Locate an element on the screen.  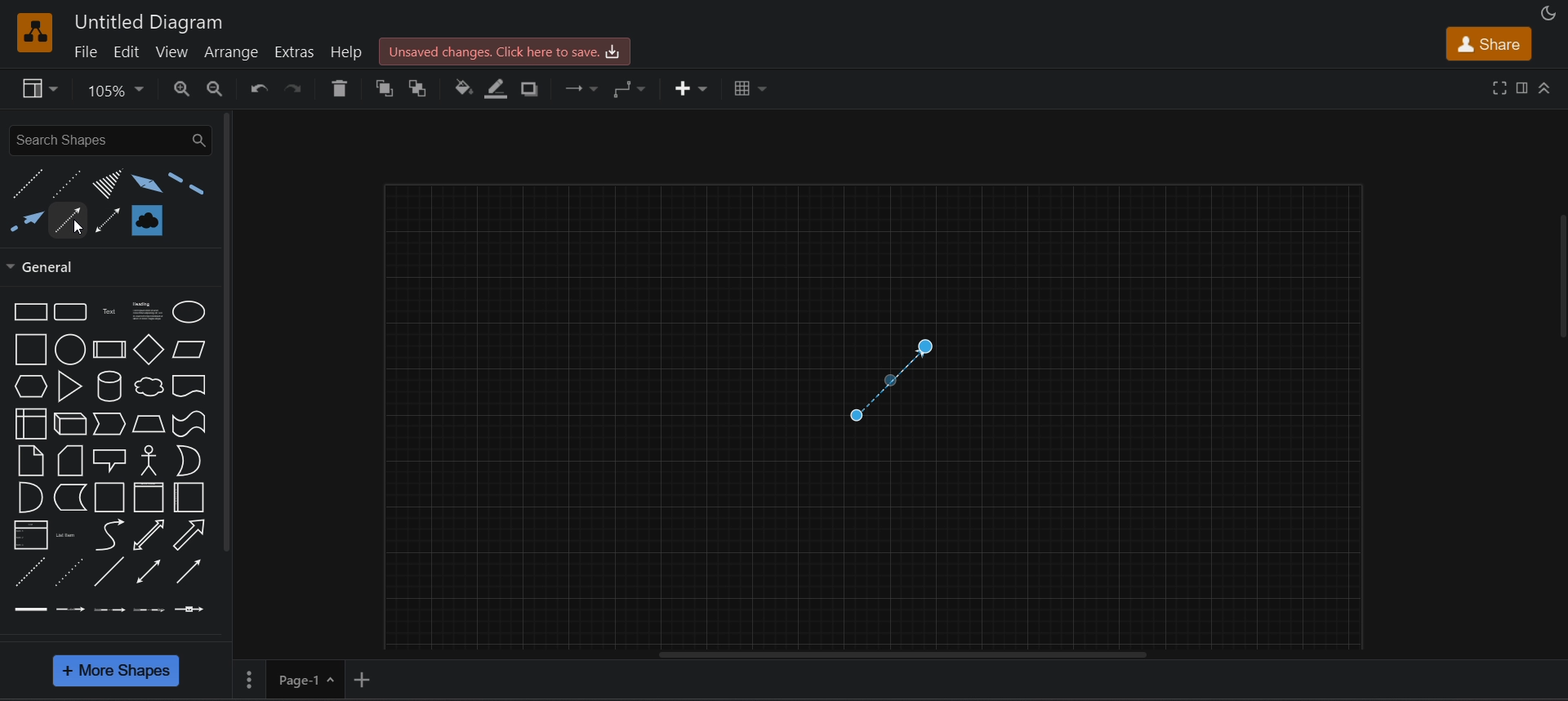
and is located at coordinates (29, 496).